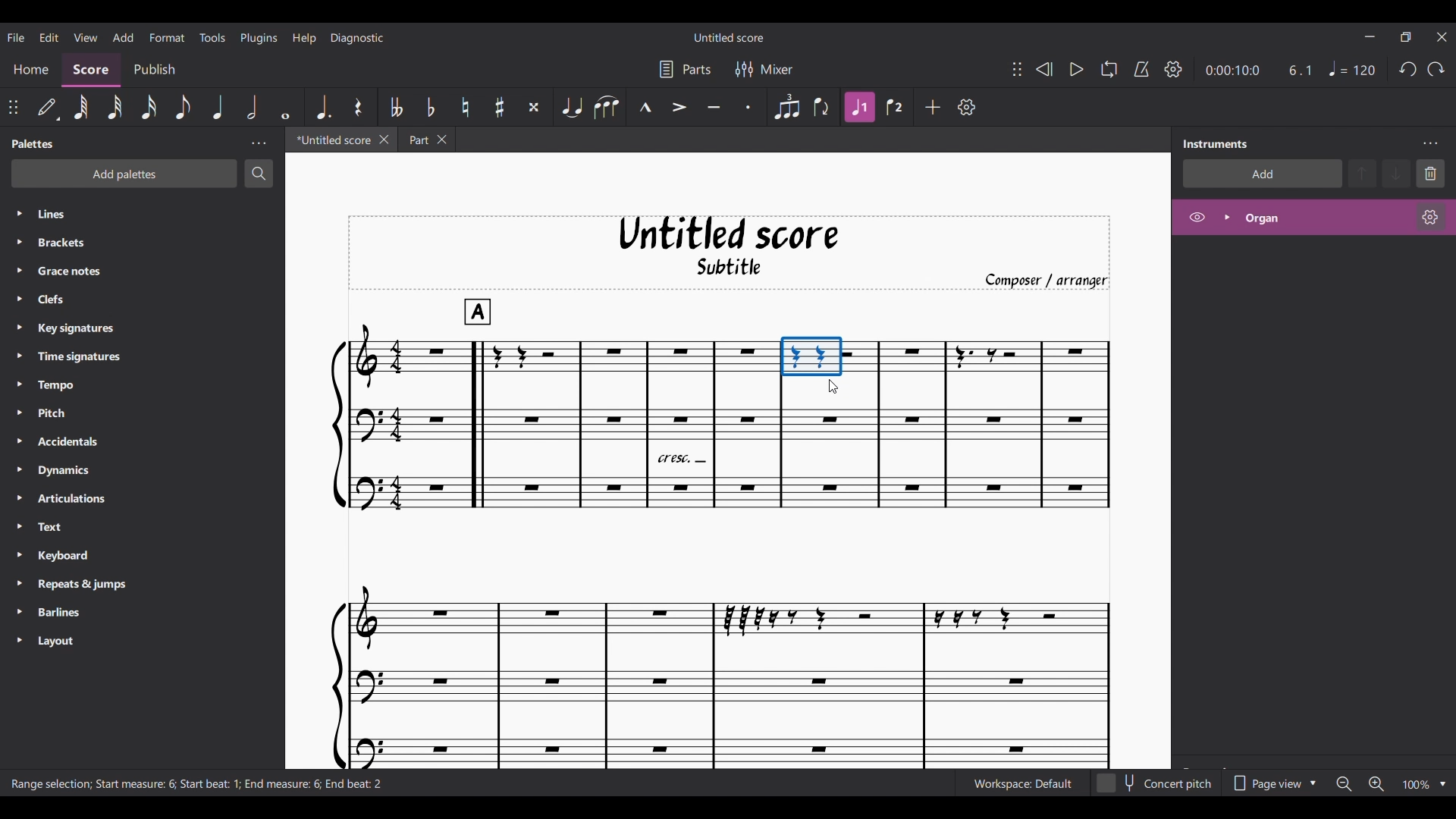  What do you see at coordinates (15, 36) in the screenshot?
I see `File menu` at bounding box center [15, 36].